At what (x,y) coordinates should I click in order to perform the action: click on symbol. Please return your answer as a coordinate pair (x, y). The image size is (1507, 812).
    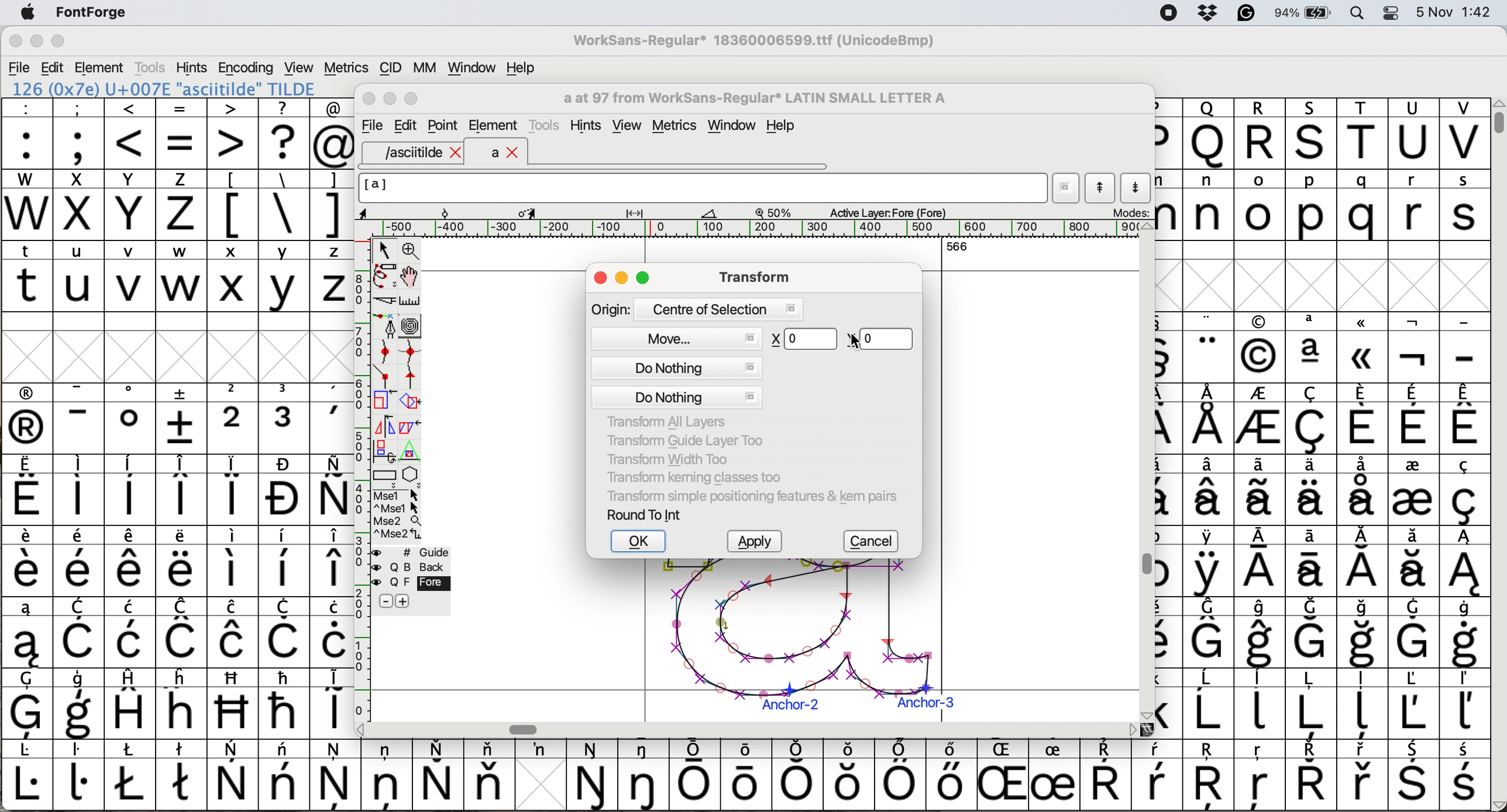
    Looking at the image, I should click on (1260, 563).